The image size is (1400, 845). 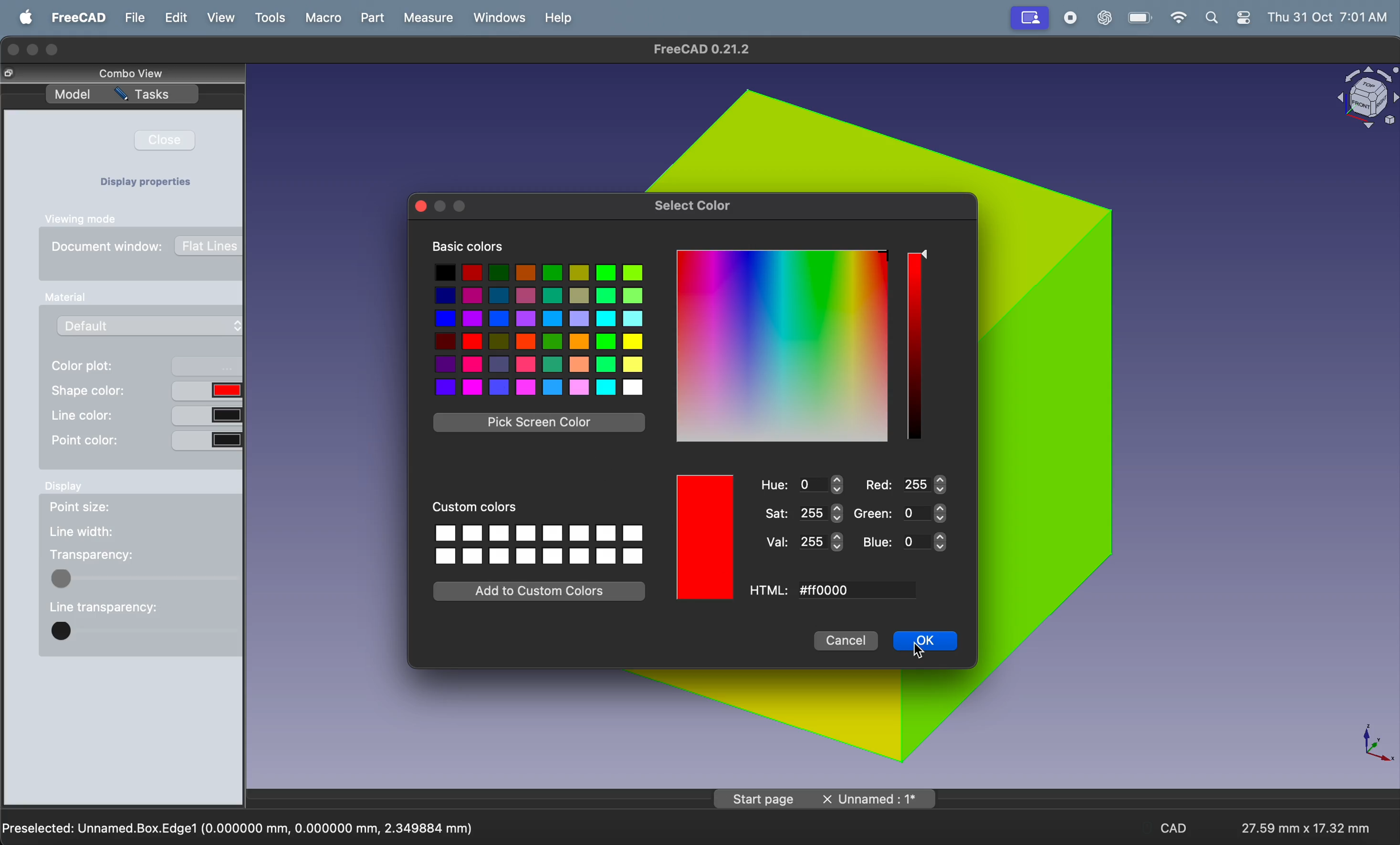 What do you see at coordinates (35, 49) in the screenshot?
I see `minimize` at bounding box center [35, 49].